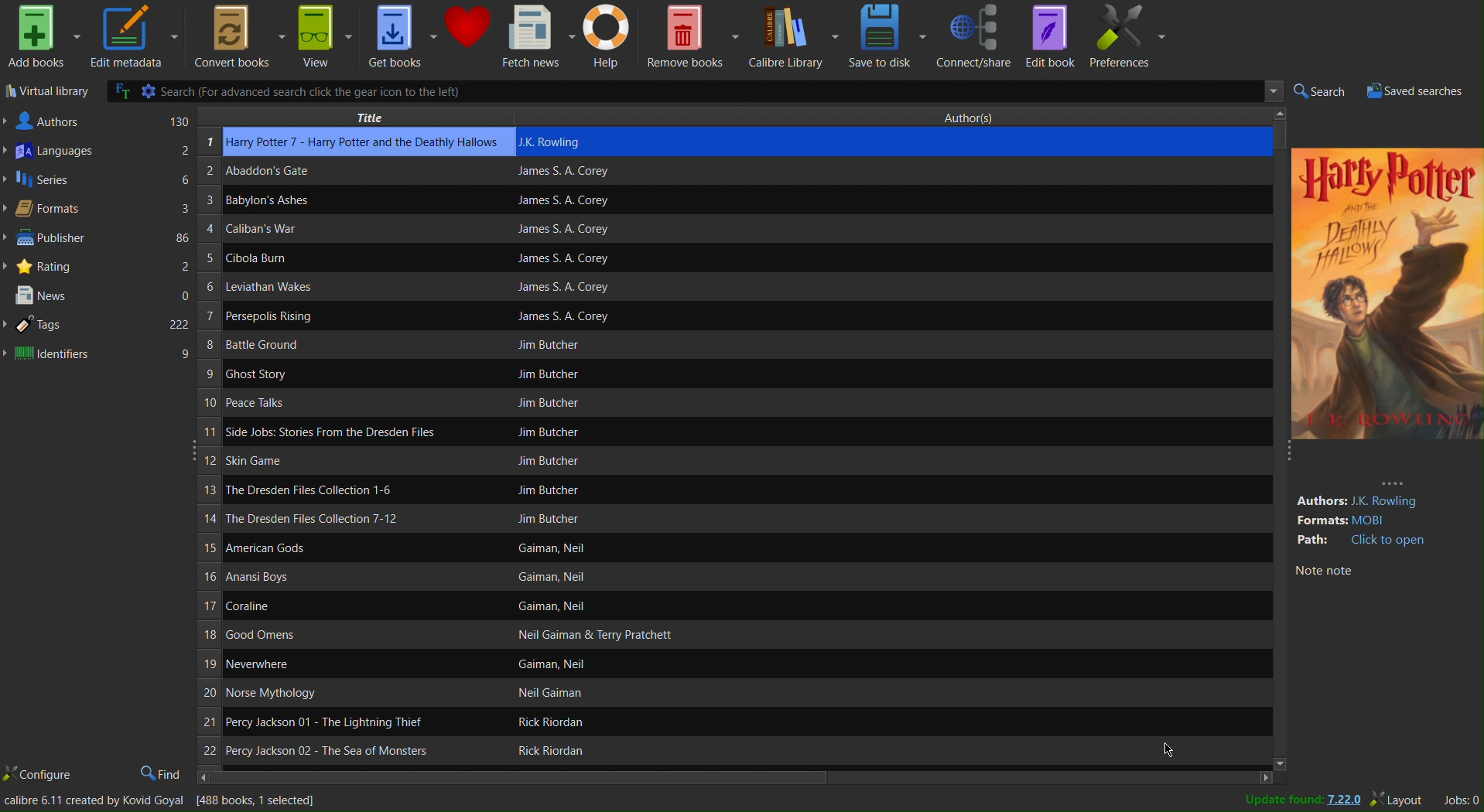 This screenshot has height=812, width=1484. Describe the element at coordinates (292, 319) in the screenshot. I see `Book name` at that location.